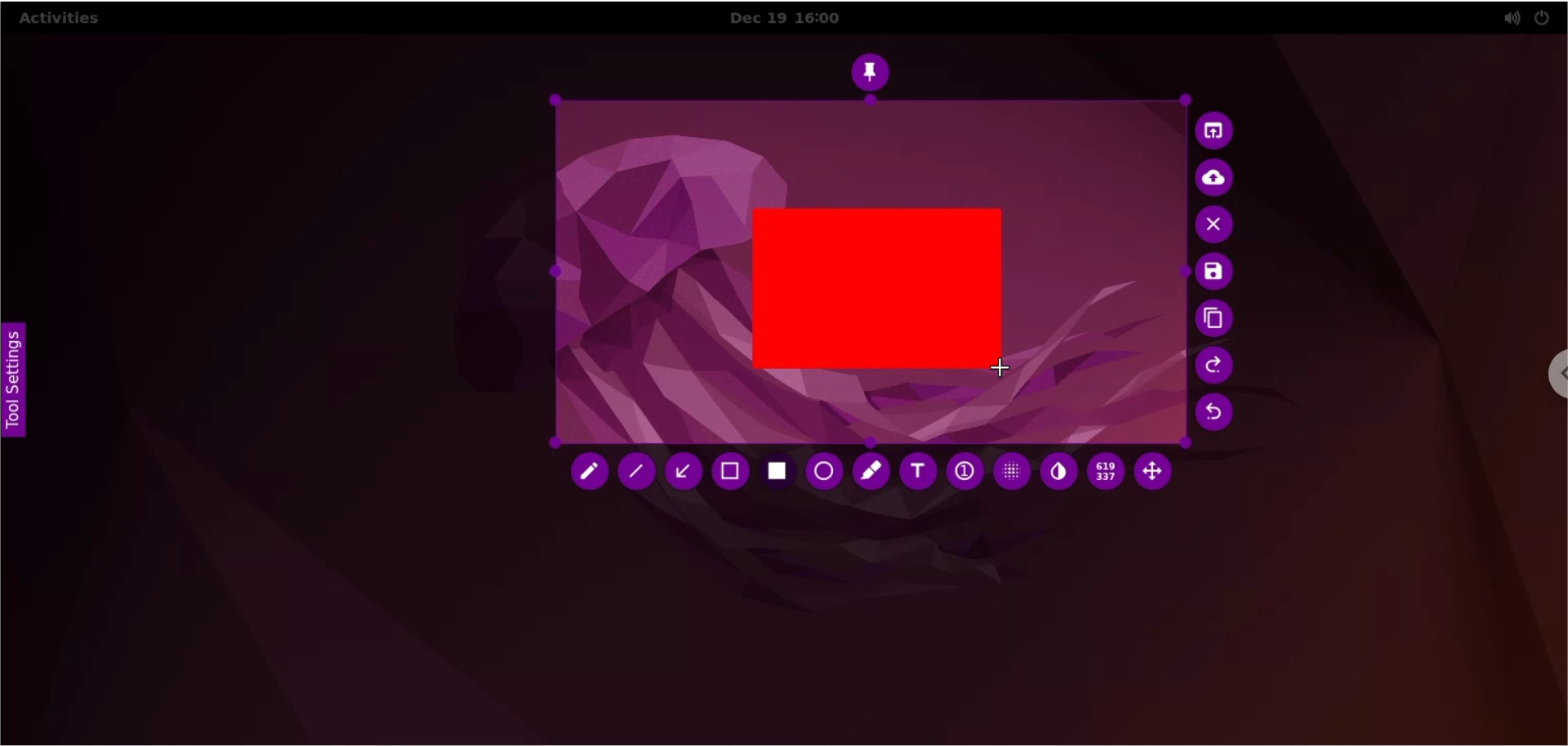 The height and width of the screenshot is (746, 1568). I want to click on pixelette, so click(1008, 475).